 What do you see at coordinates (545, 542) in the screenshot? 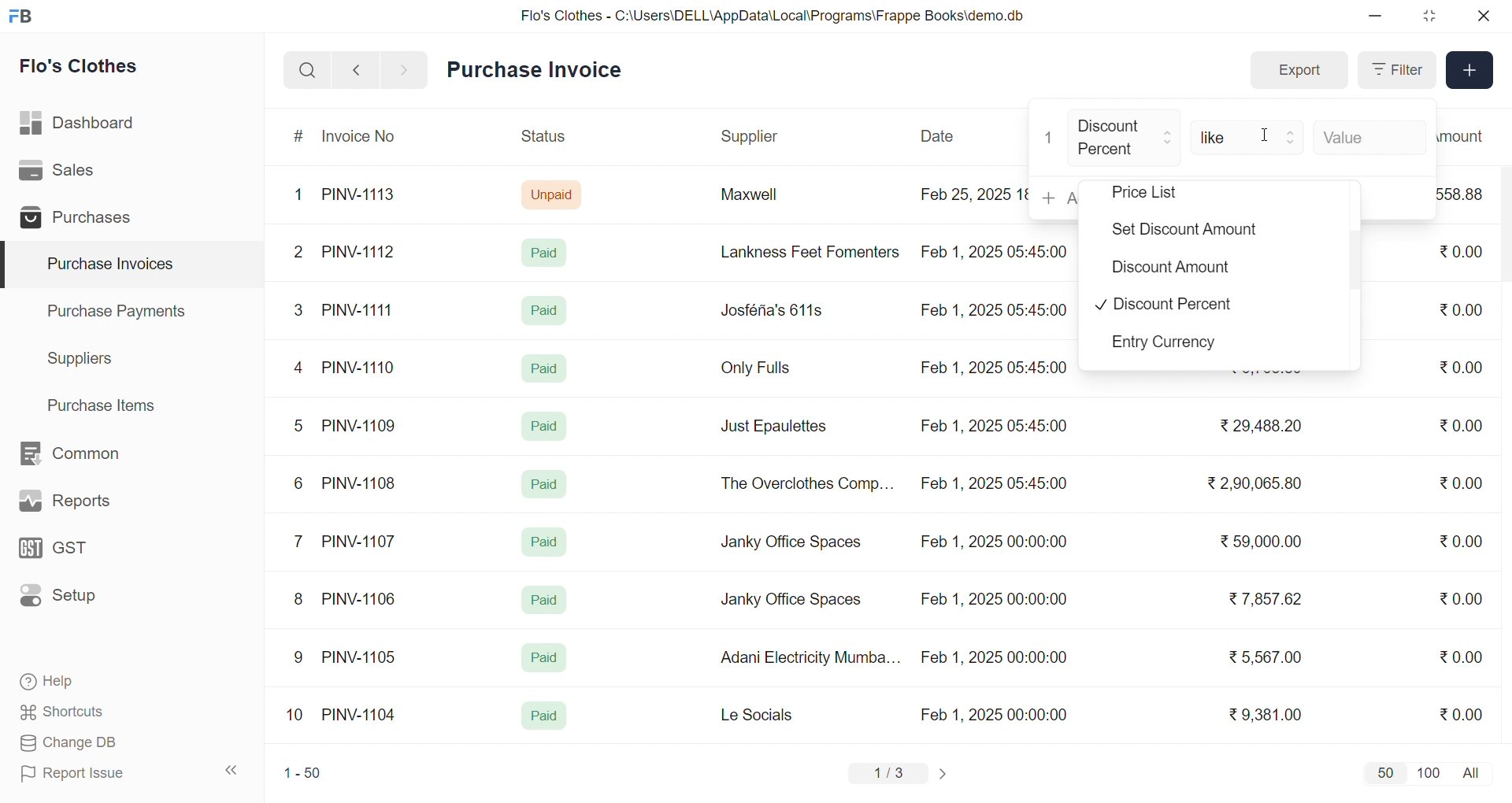
I see `Paid` at bounding box center [545, 542].